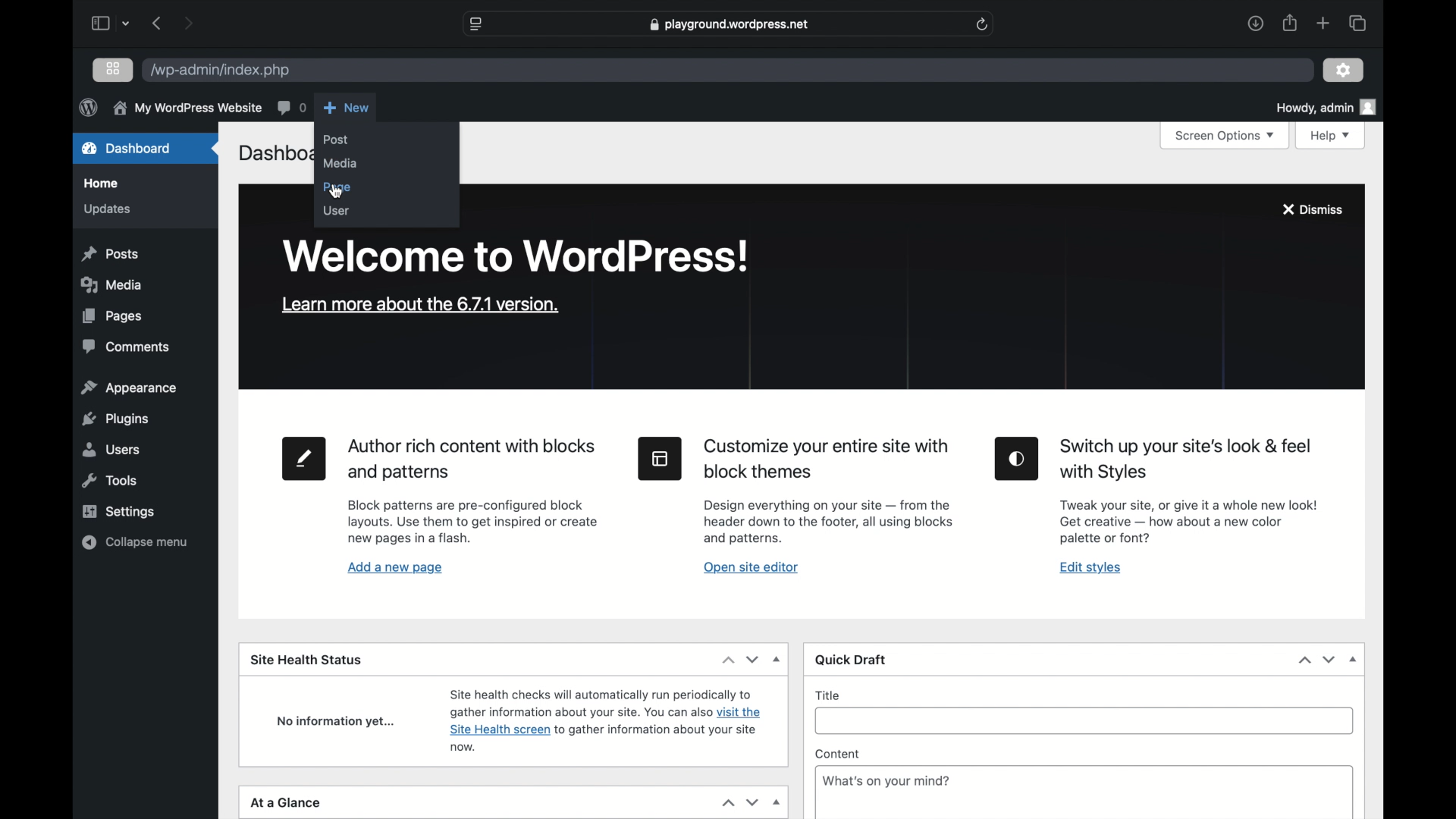 The width and height of the screenshot is (1456, 819). What do you see at coordinates (188, 22) in the screenshot?
I see `next page` at bounding box center [188, 22].